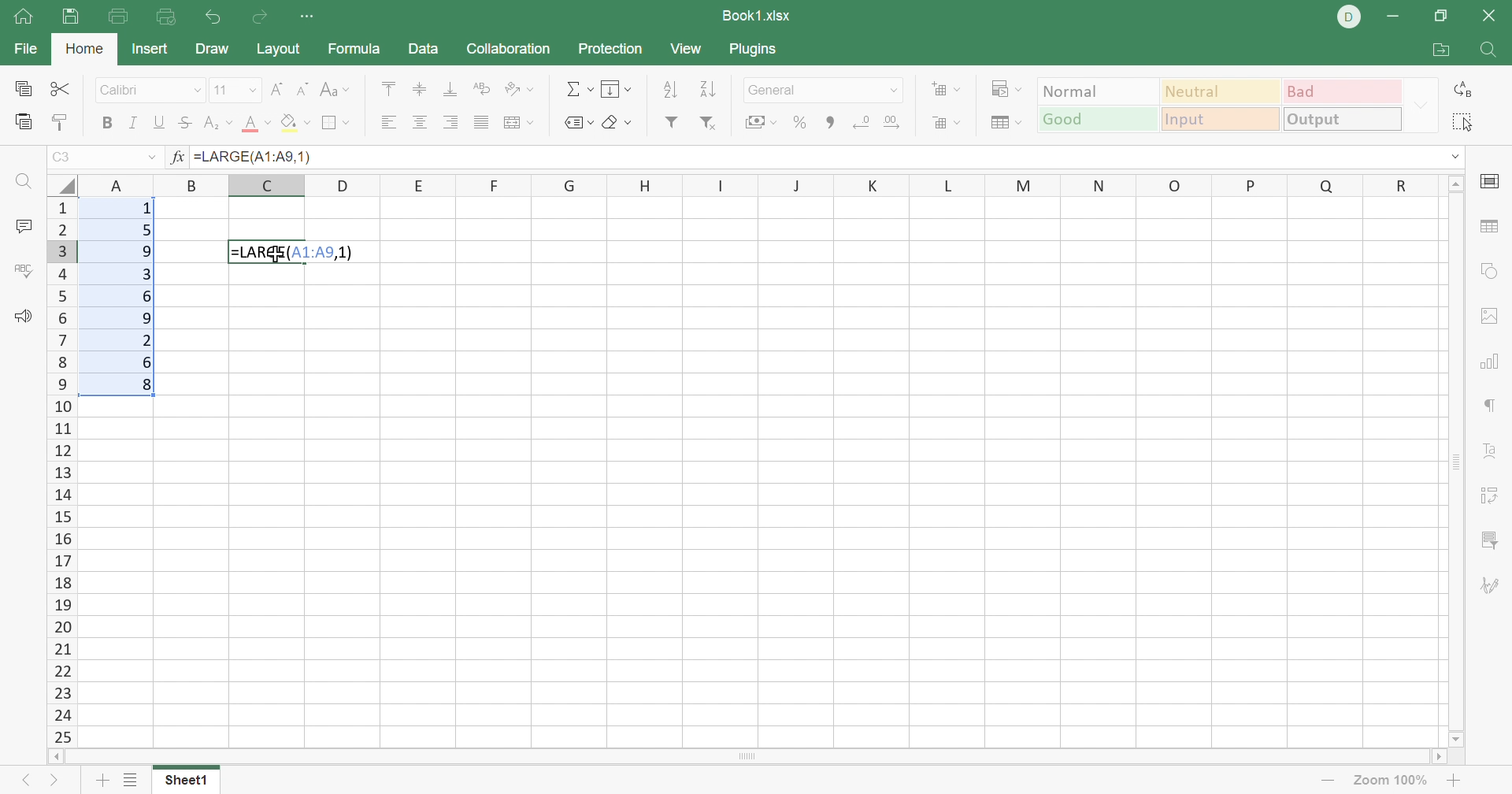 The image size is (1512, 794). I want to click on Comments, so click(26, 226).